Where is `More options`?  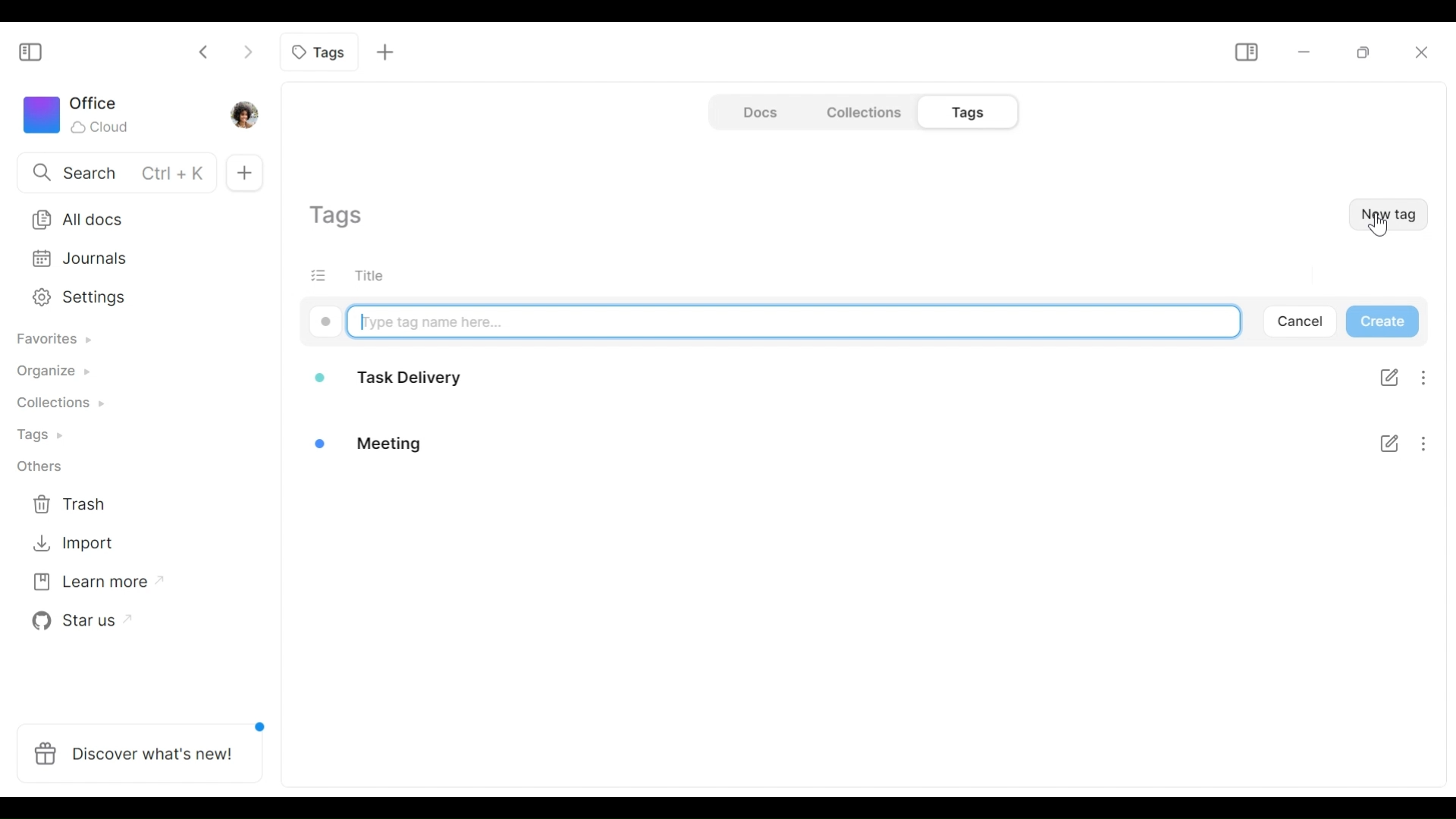 More options is located at coordinates (1430, 409).